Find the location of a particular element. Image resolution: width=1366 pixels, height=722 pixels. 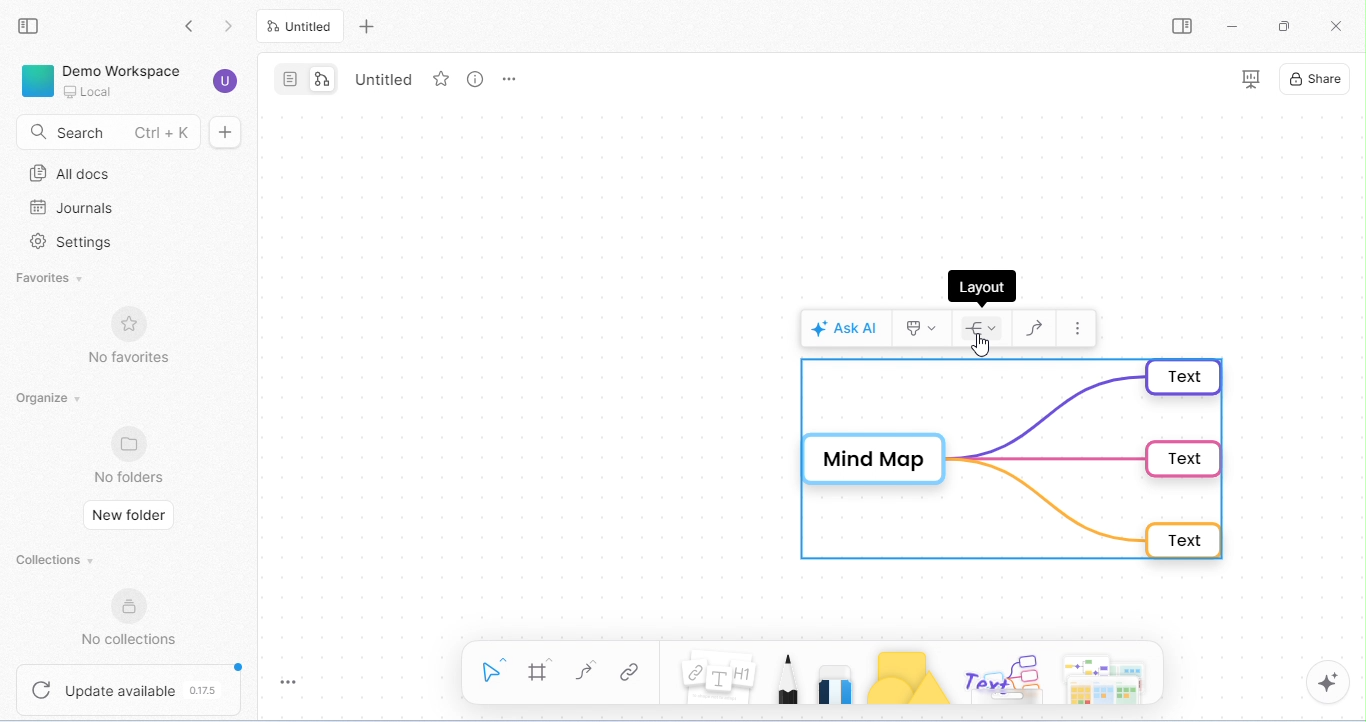

style is located at coordinates (926, 326).